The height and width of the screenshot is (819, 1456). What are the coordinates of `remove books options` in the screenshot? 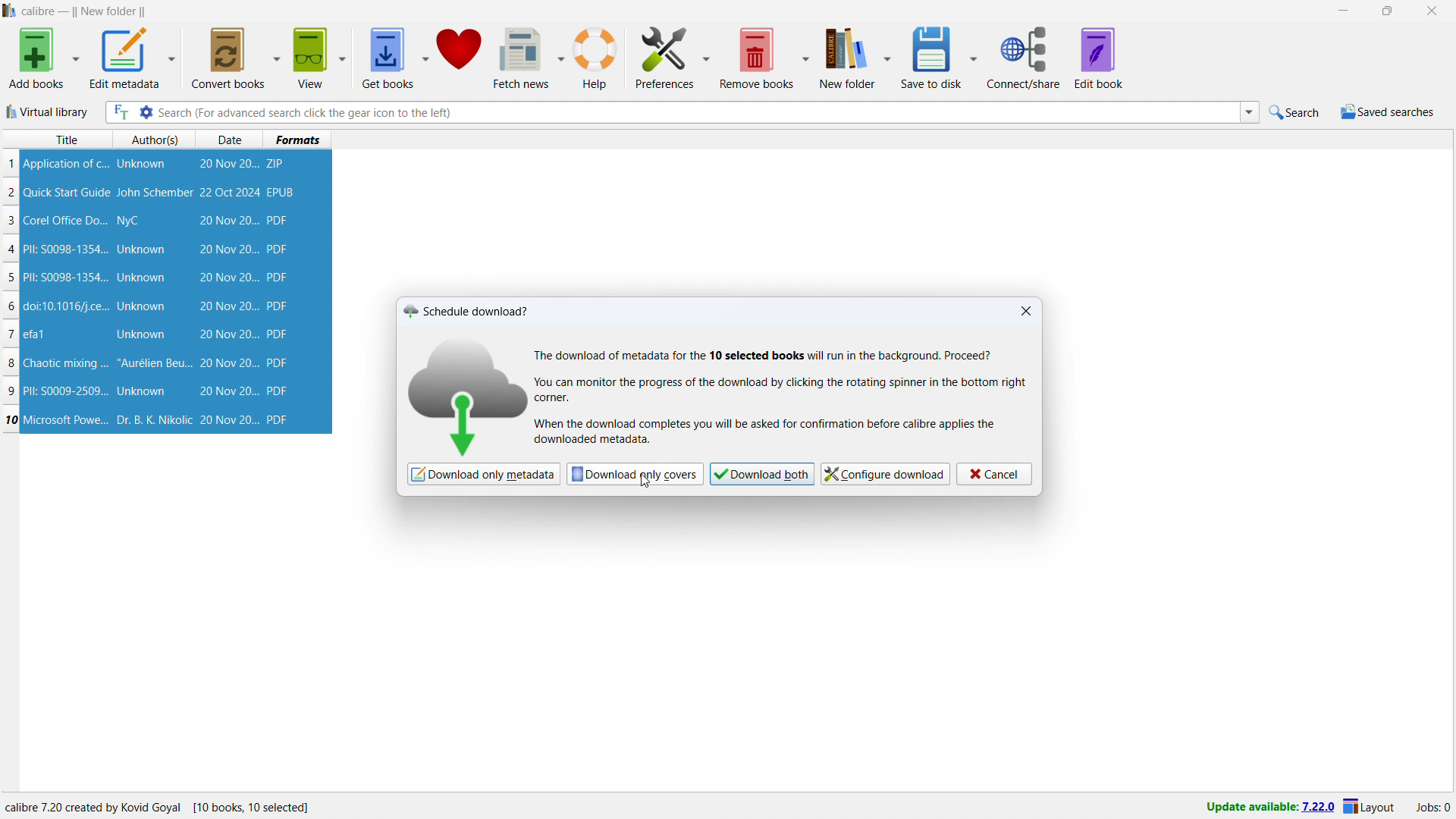 It's located at (808, 57).